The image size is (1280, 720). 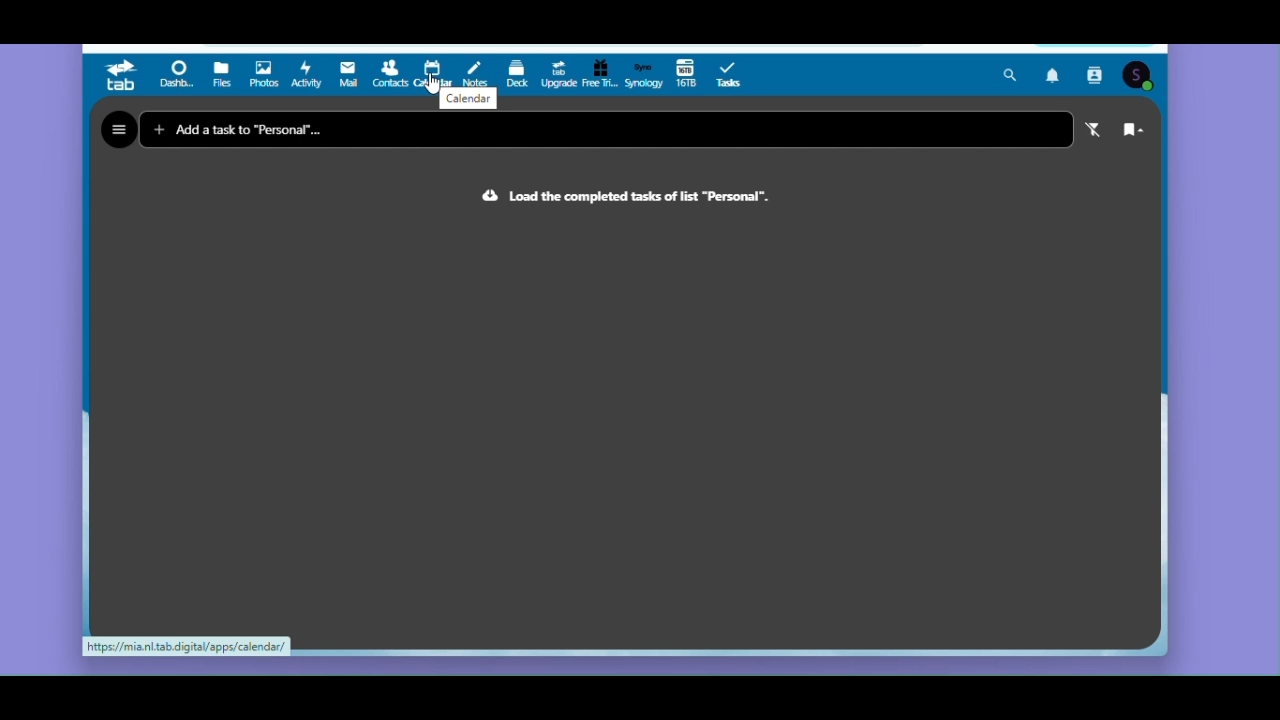 What do you see at coordinates (389, 76) in the screenshot?
I see `Contacts` at bounding box center [389, 76].